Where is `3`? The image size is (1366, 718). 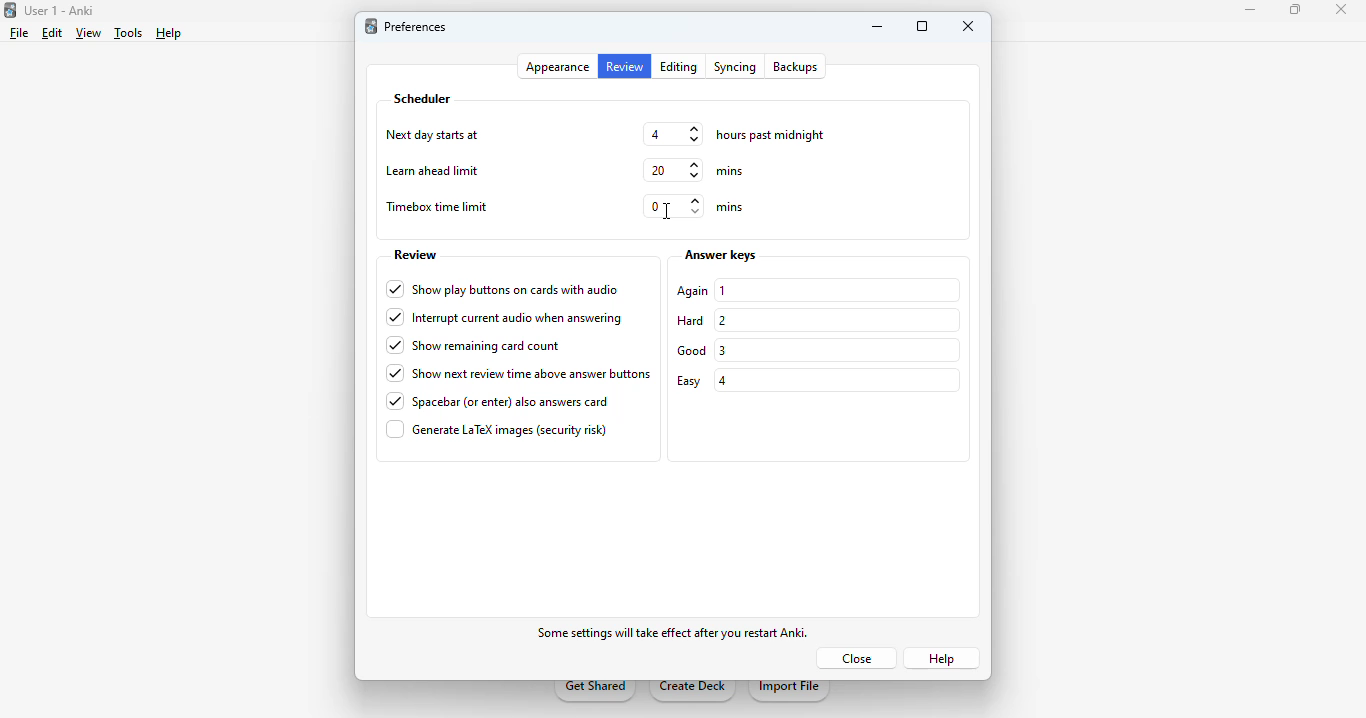
3 is located at coordinates (724, 351).